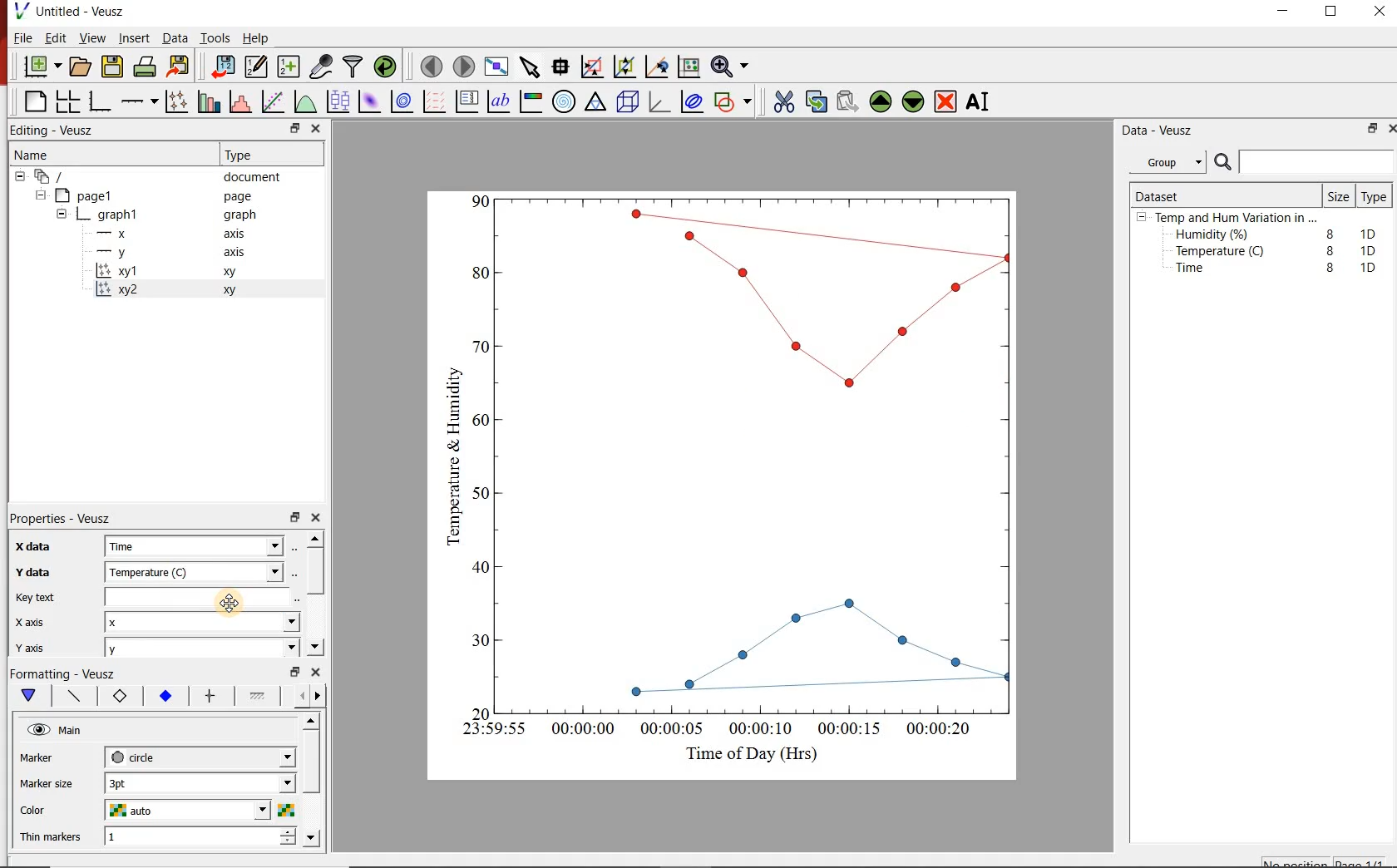  I want to click on plot box plots, so click(338, 102).